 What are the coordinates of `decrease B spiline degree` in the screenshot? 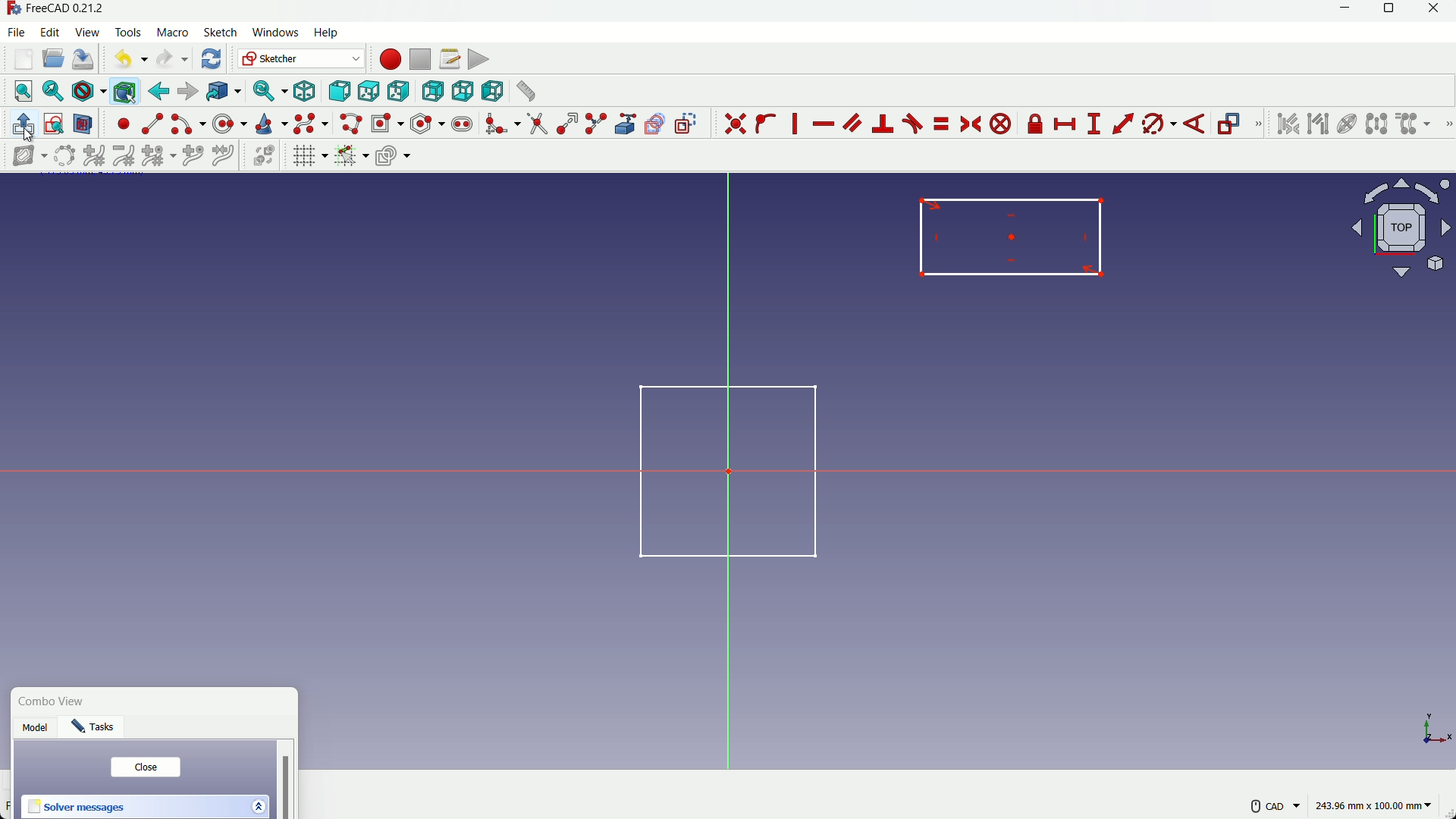 It's located at (124, 155).